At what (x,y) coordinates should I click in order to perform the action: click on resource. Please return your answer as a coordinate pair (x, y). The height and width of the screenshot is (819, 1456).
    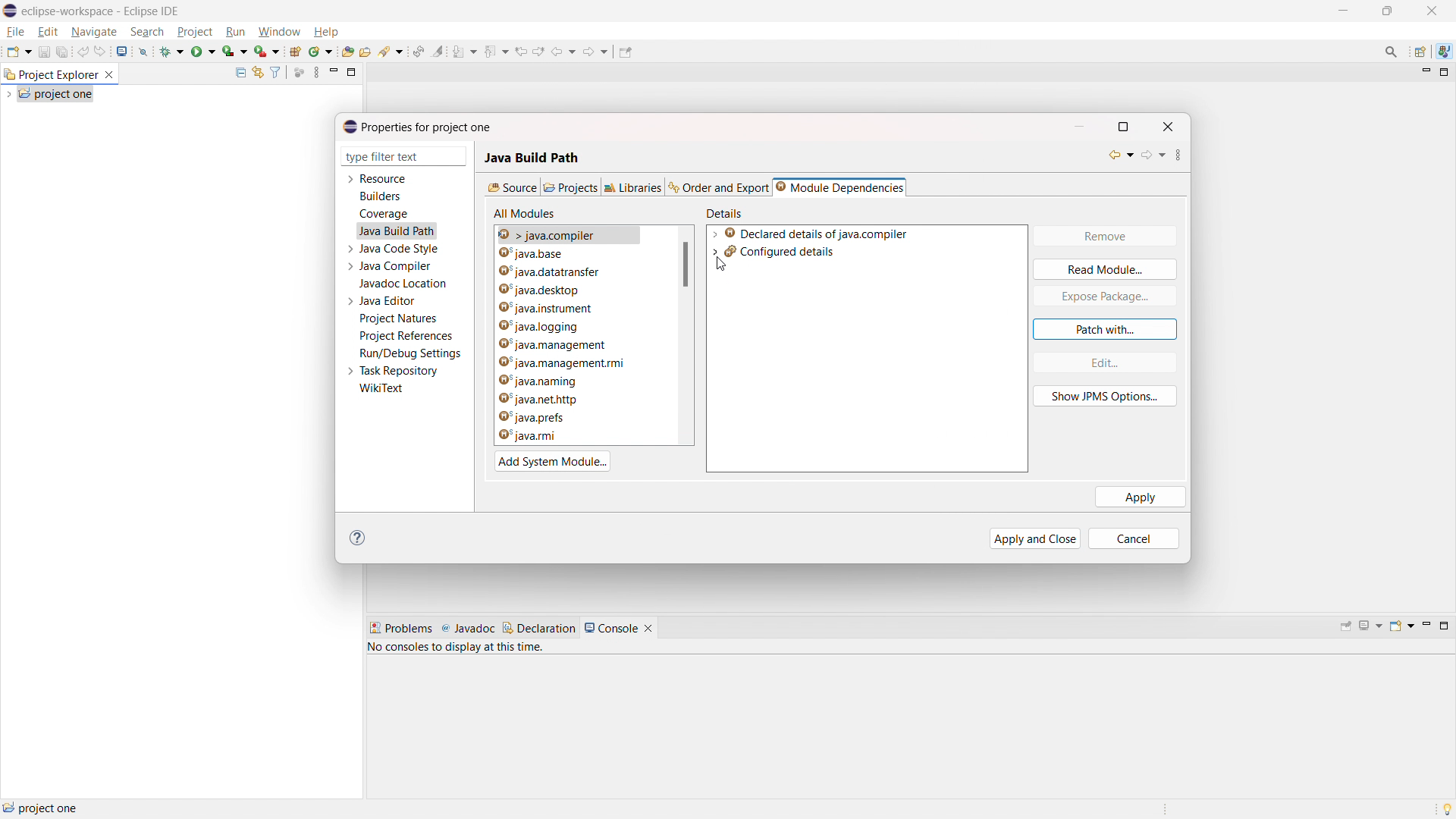
    Looking at the image, I should click on (384, 178).